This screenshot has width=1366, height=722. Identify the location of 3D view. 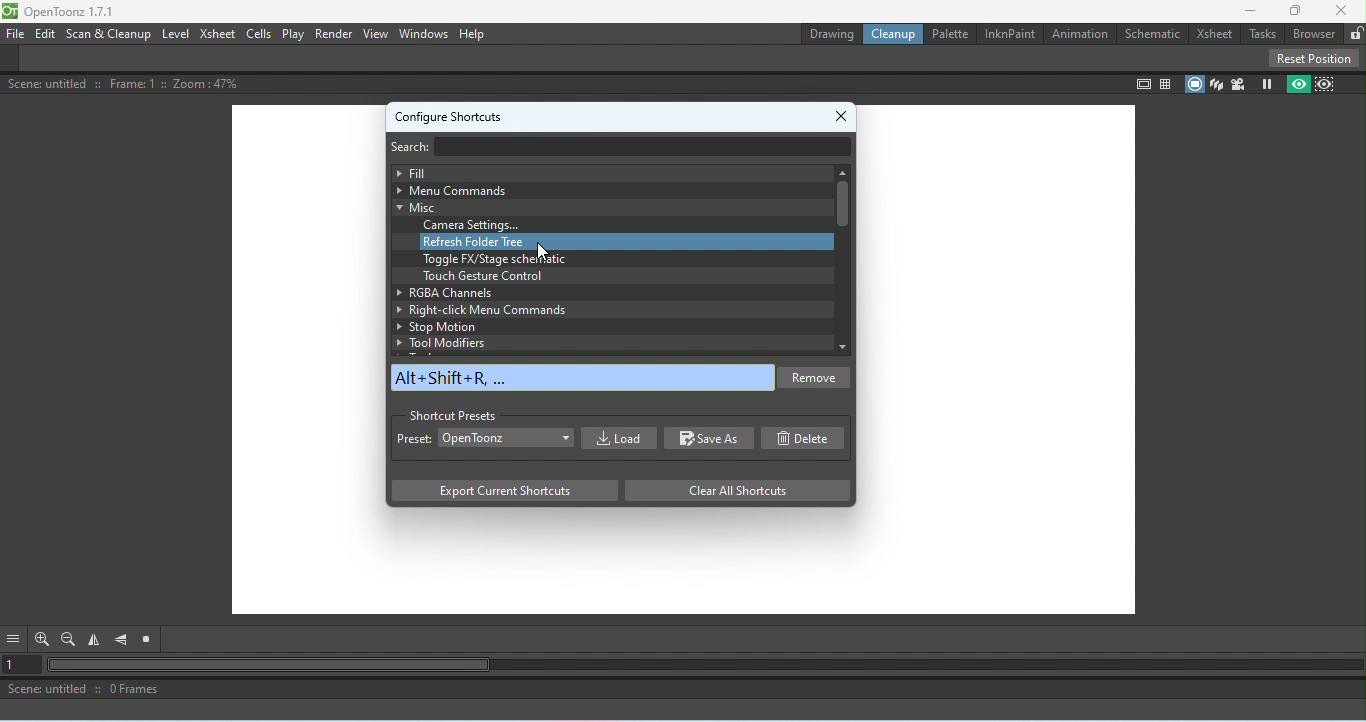
(1217, 84).